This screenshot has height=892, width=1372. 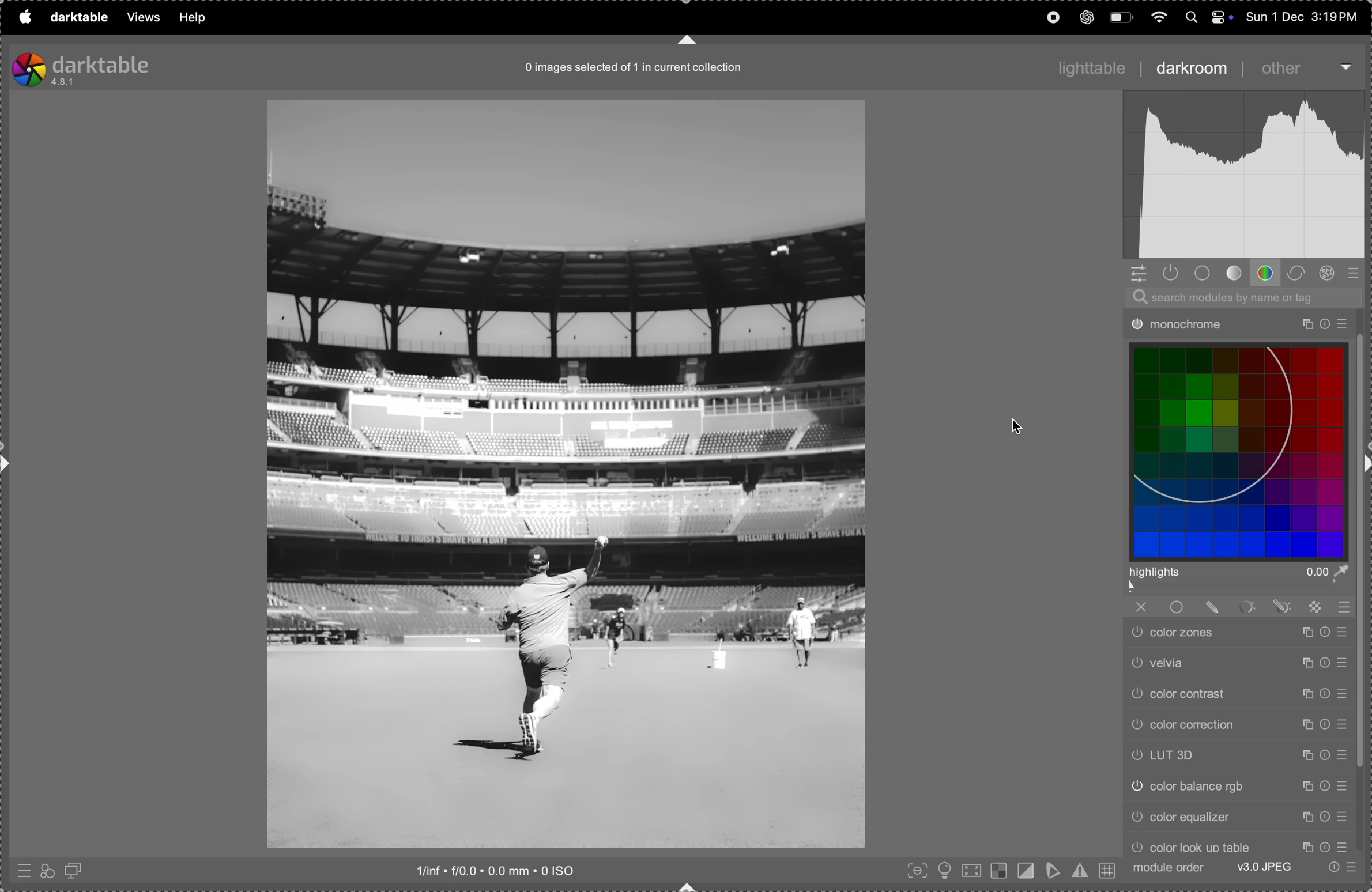 What do you see at coordinates (1021, 426) in the screenshot?
I see `cursor` at bounding box center [1021, 426].